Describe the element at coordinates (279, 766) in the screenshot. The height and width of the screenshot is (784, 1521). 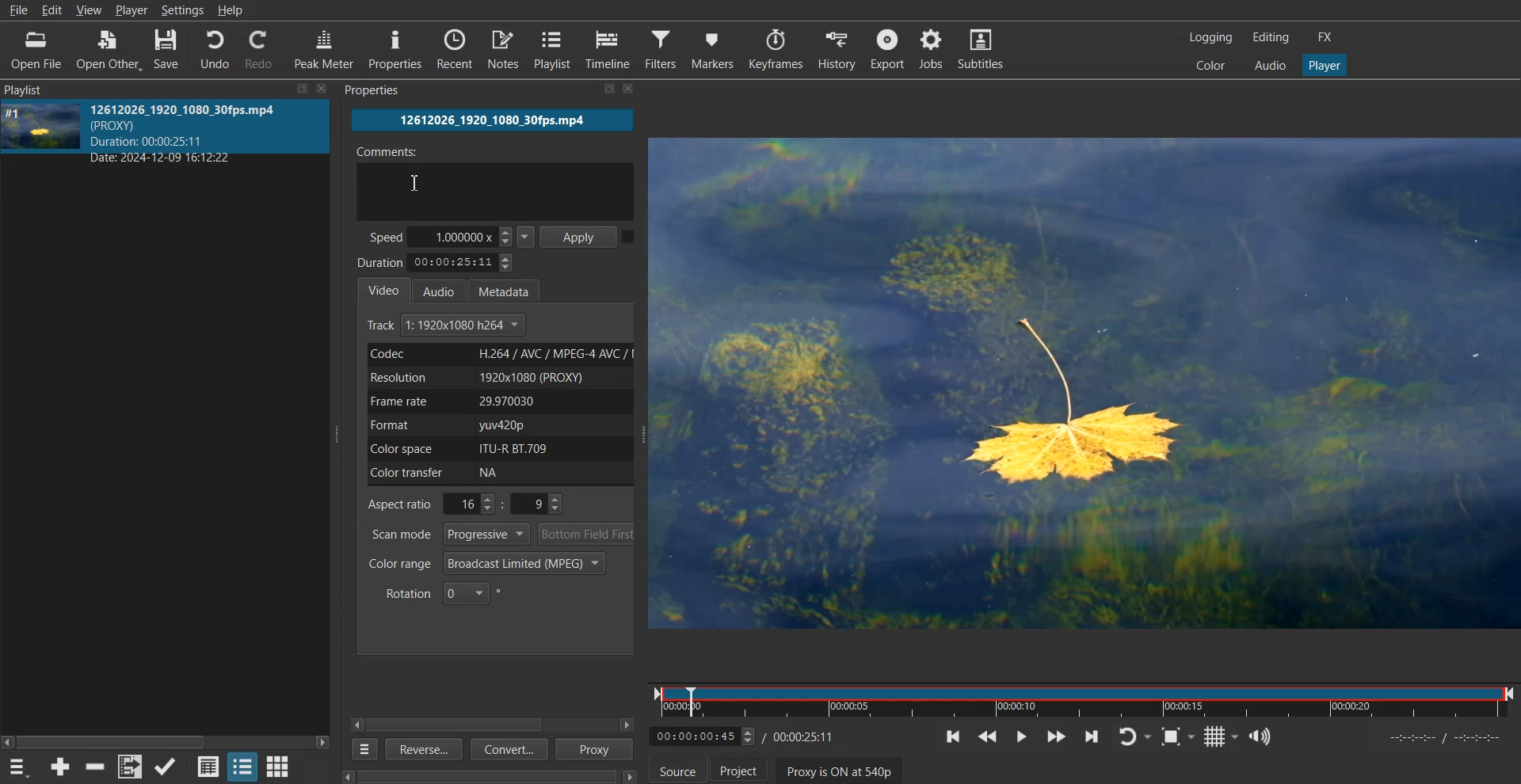
I see `View as Icon` at that location.